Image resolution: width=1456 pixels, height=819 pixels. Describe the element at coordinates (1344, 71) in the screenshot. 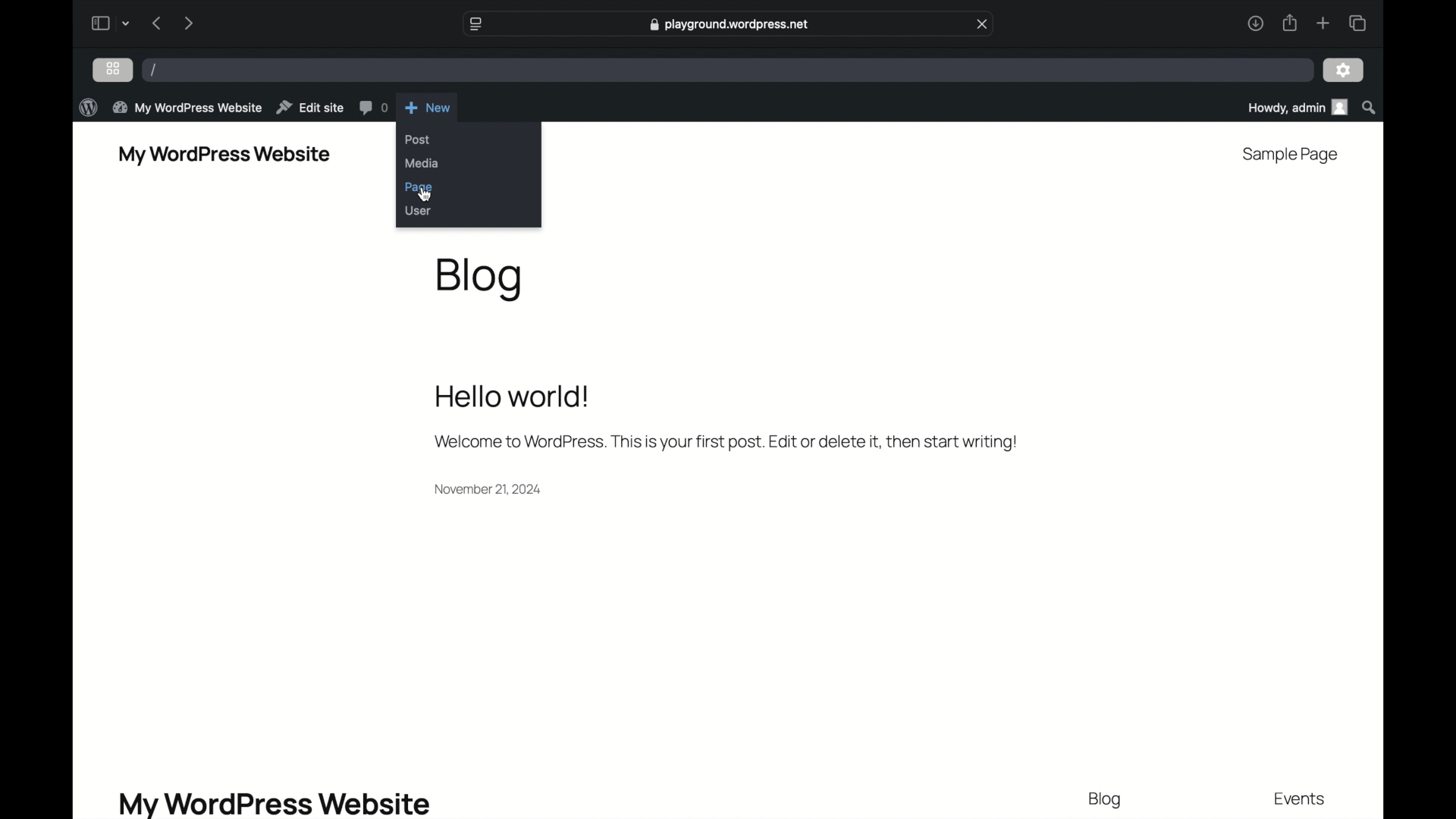

I see `settings` at that location.